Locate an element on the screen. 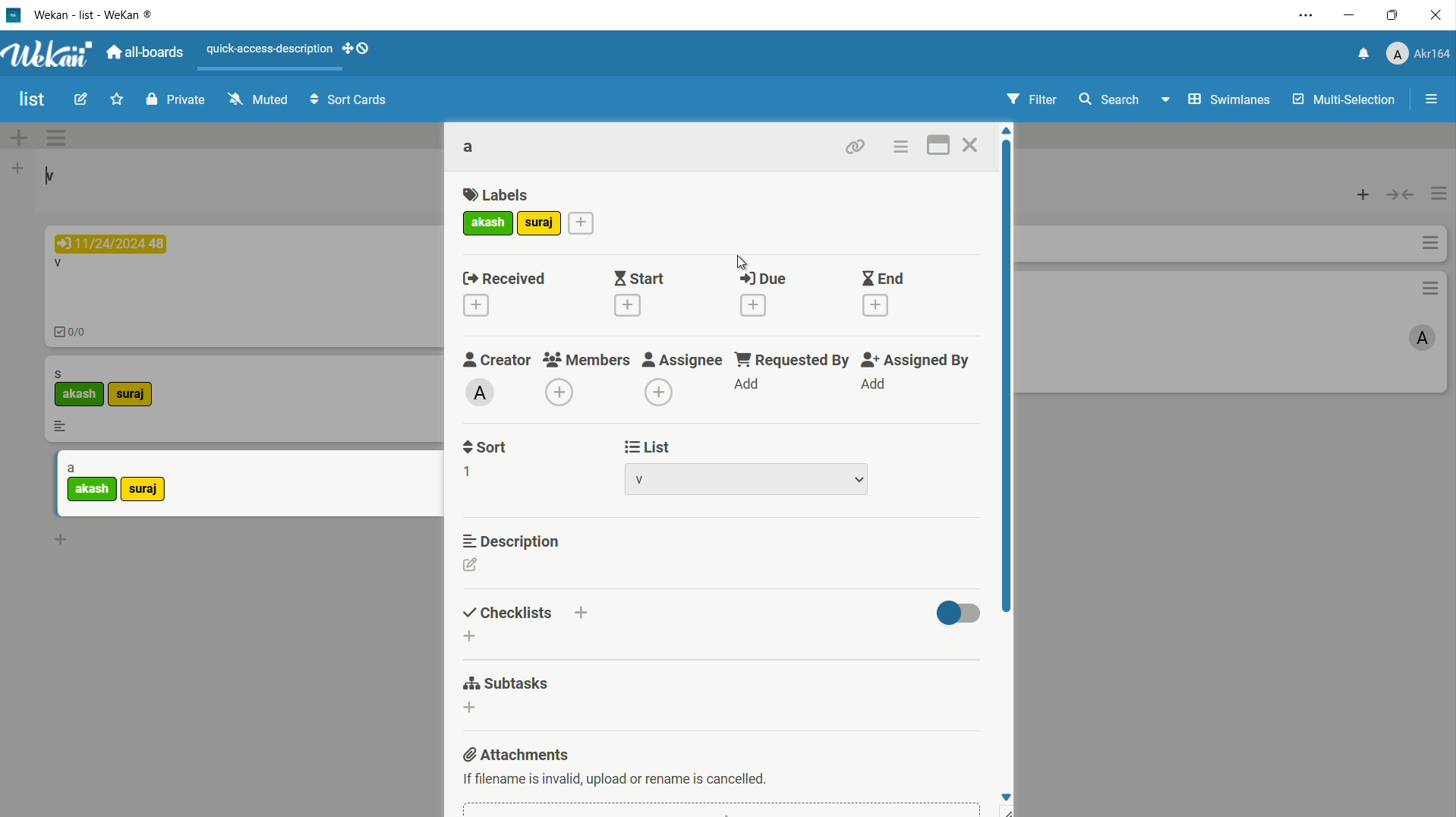 The height and width of the screenshot is (817, 1456). options is located at coordinates (1431, 241).